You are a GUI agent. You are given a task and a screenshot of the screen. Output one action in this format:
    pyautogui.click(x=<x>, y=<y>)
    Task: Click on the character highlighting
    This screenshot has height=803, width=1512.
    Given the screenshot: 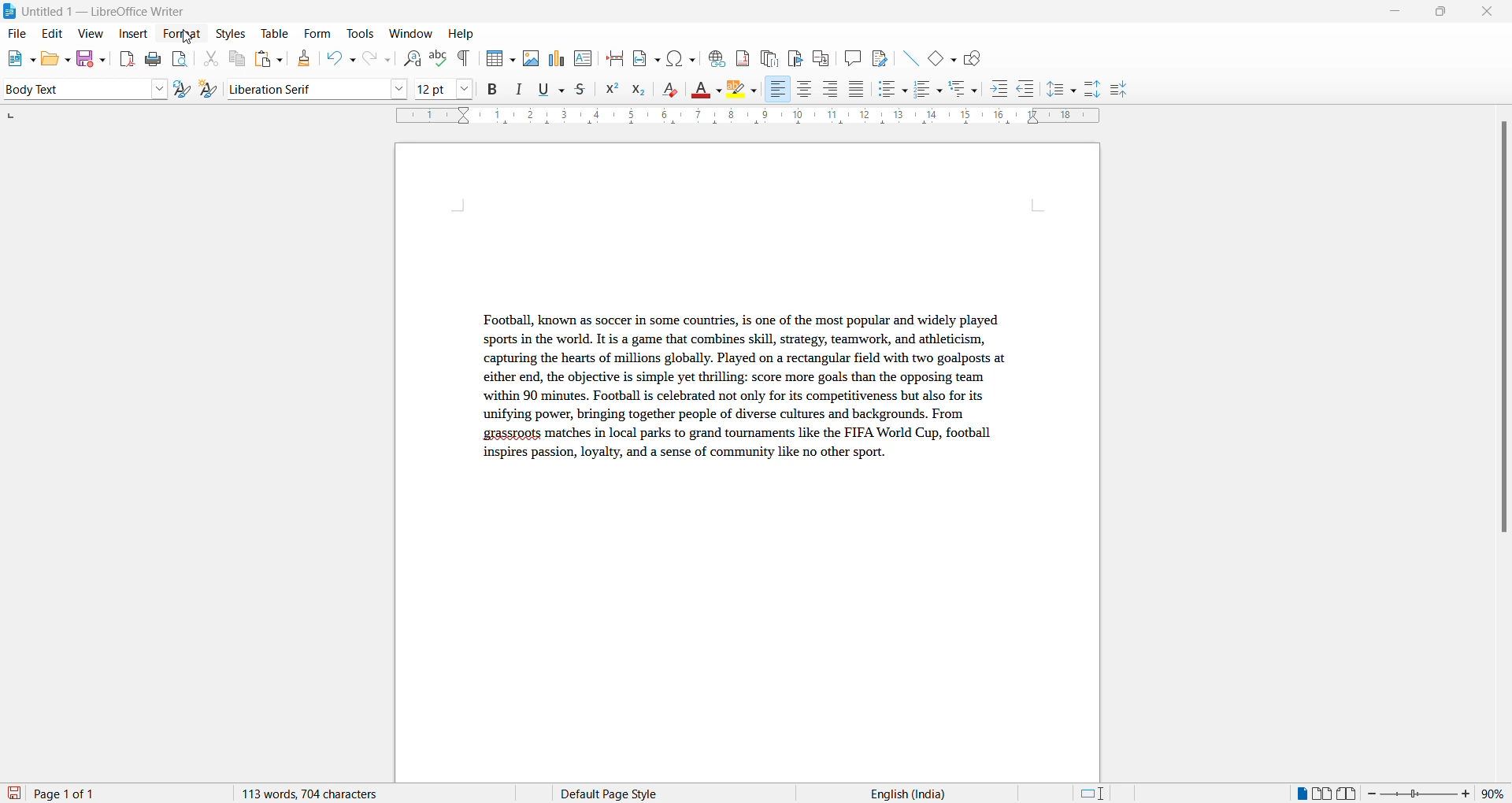 What is the action you would take?
    pyautogui.click(x=746, y=91)
    